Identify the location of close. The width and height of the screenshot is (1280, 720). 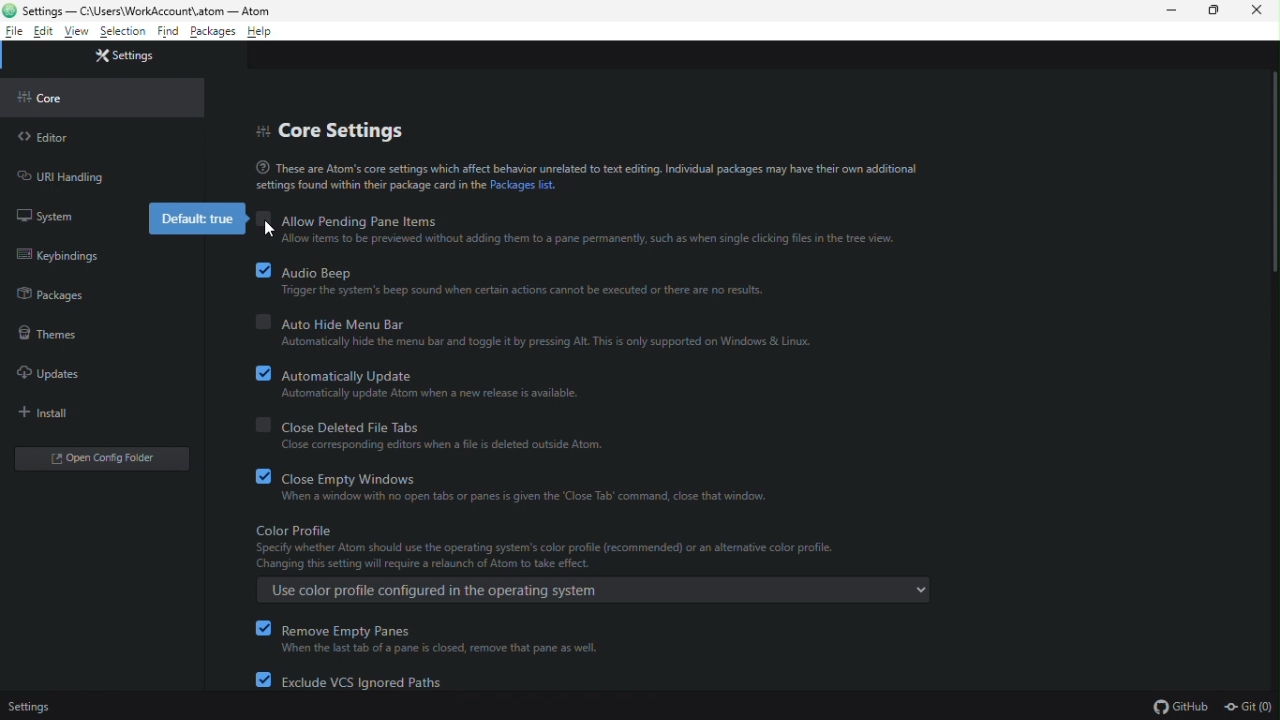
(1256, 11).